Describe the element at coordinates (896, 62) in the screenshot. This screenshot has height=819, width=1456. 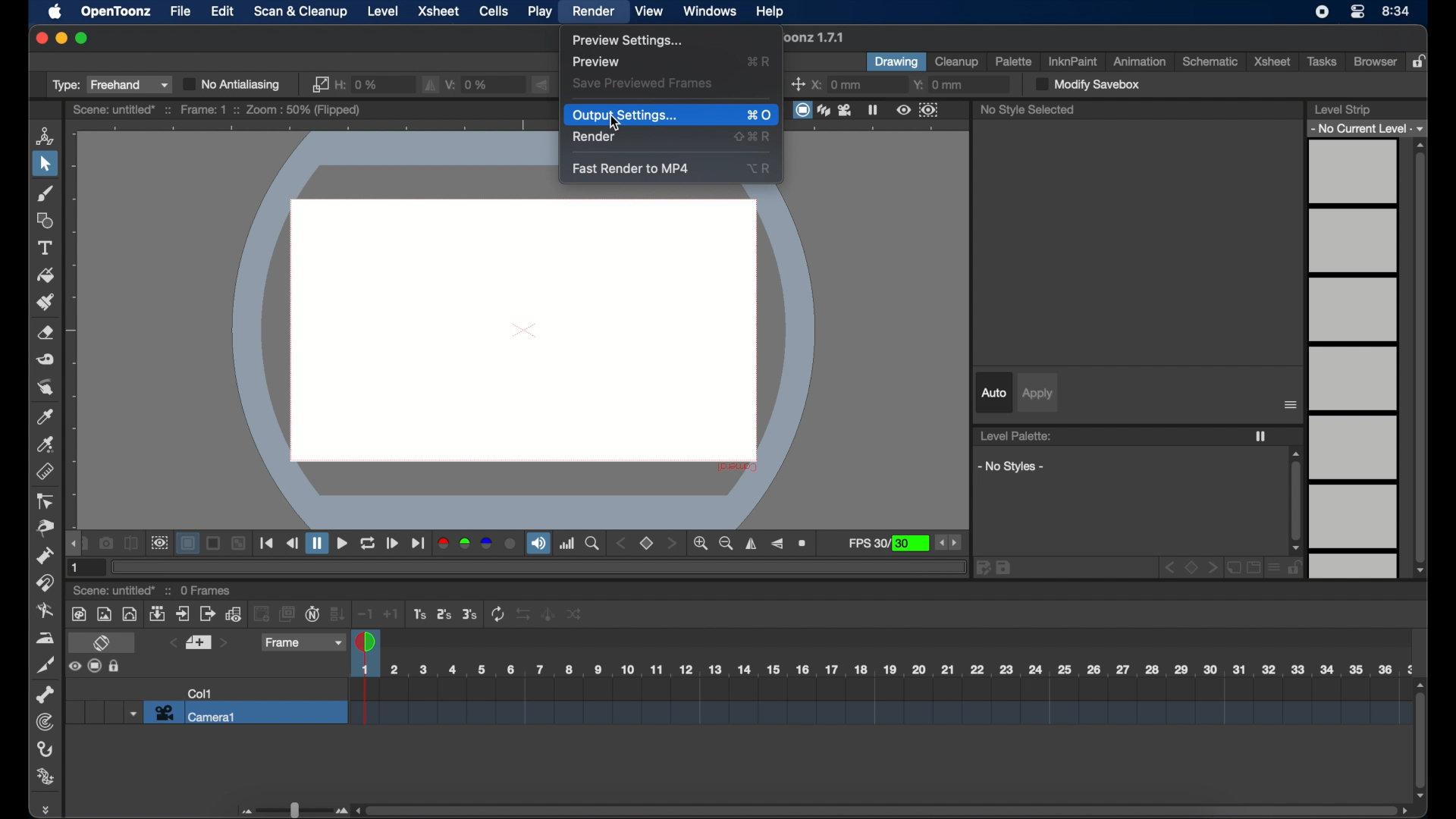
I see `drawing` at that location.